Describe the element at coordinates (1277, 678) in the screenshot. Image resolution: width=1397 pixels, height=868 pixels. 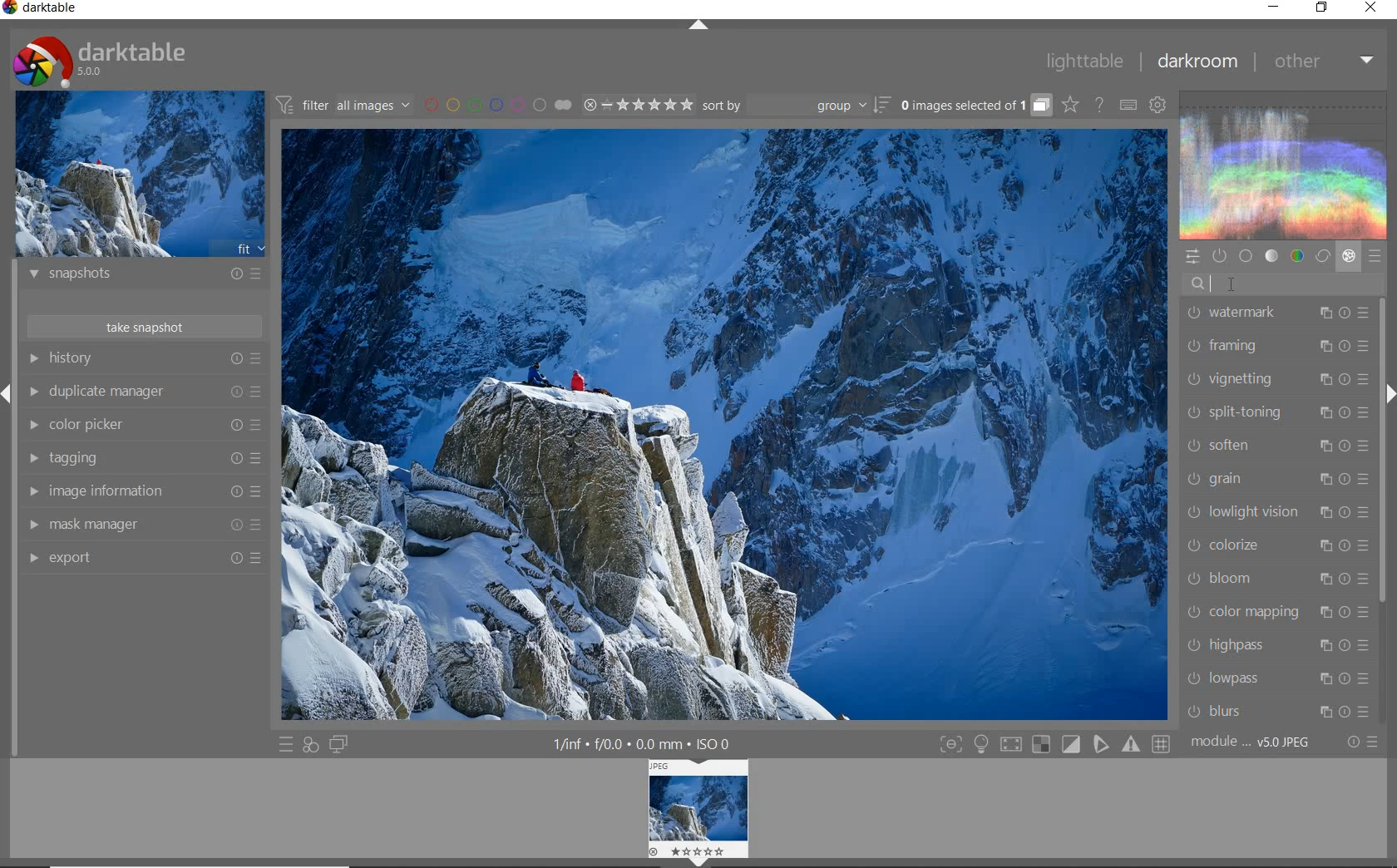
I see `lowpass` at that location.